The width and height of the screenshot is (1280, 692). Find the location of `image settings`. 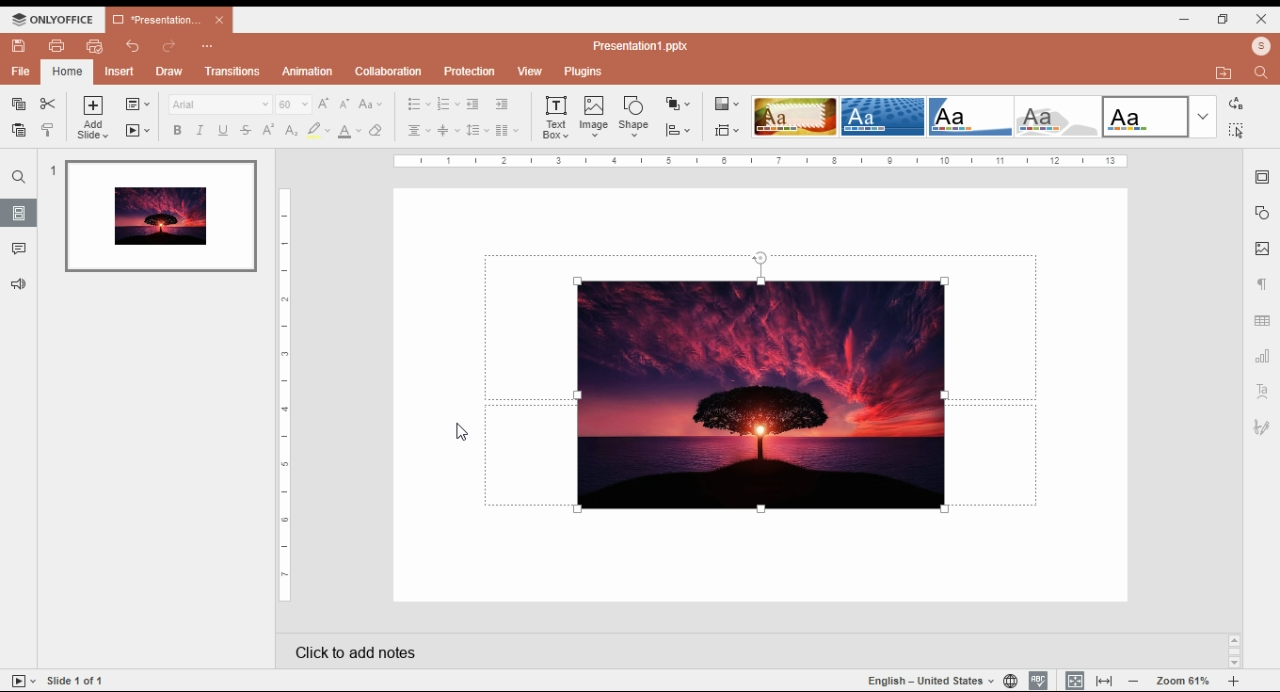

image settings is located at coordinates (1262, 249).